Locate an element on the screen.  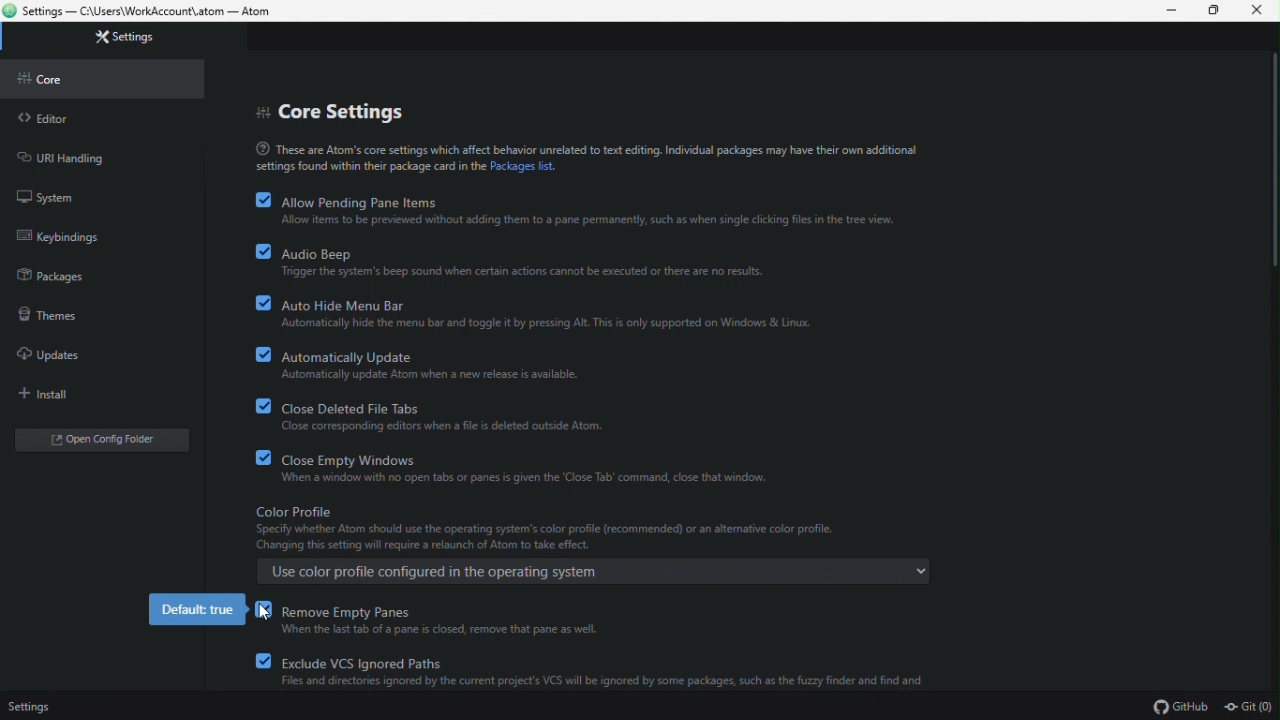
GitHub is located at coordinates (1180, 708).